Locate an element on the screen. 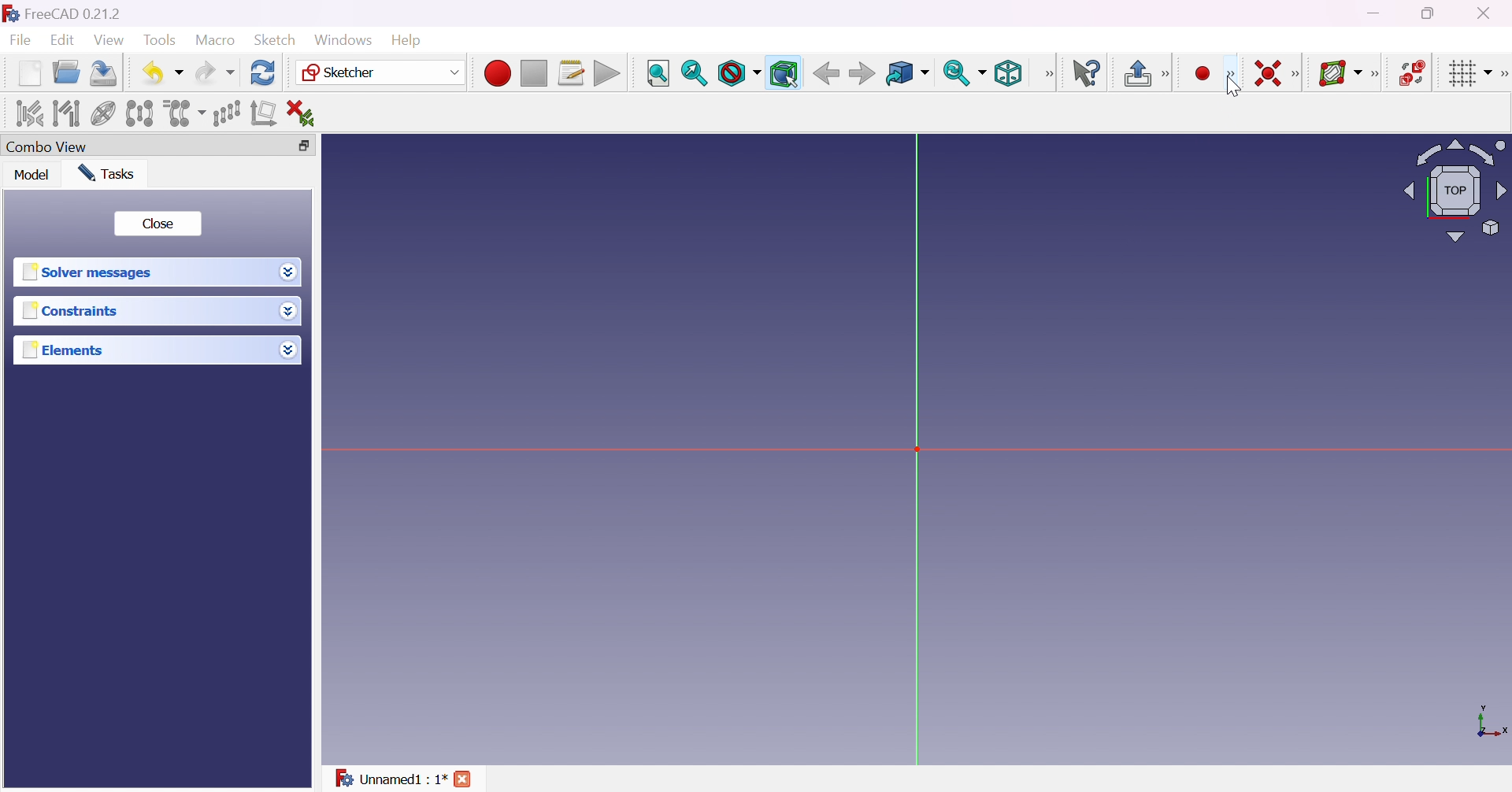  Constraints is located at coordinates (71, 312).